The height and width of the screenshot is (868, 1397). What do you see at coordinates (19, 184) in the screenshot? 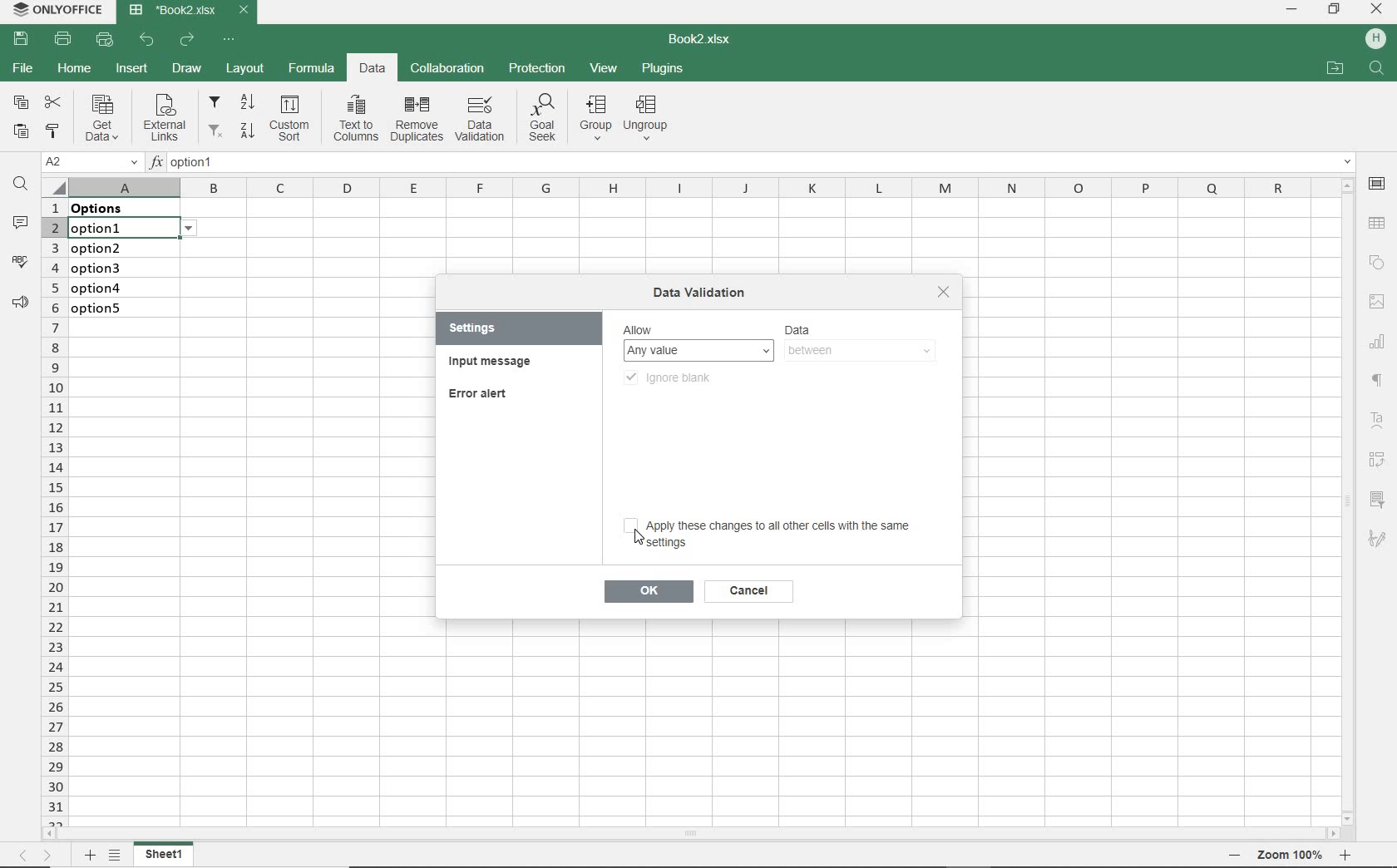
I see `FIND` at bounding box center [19, 184].